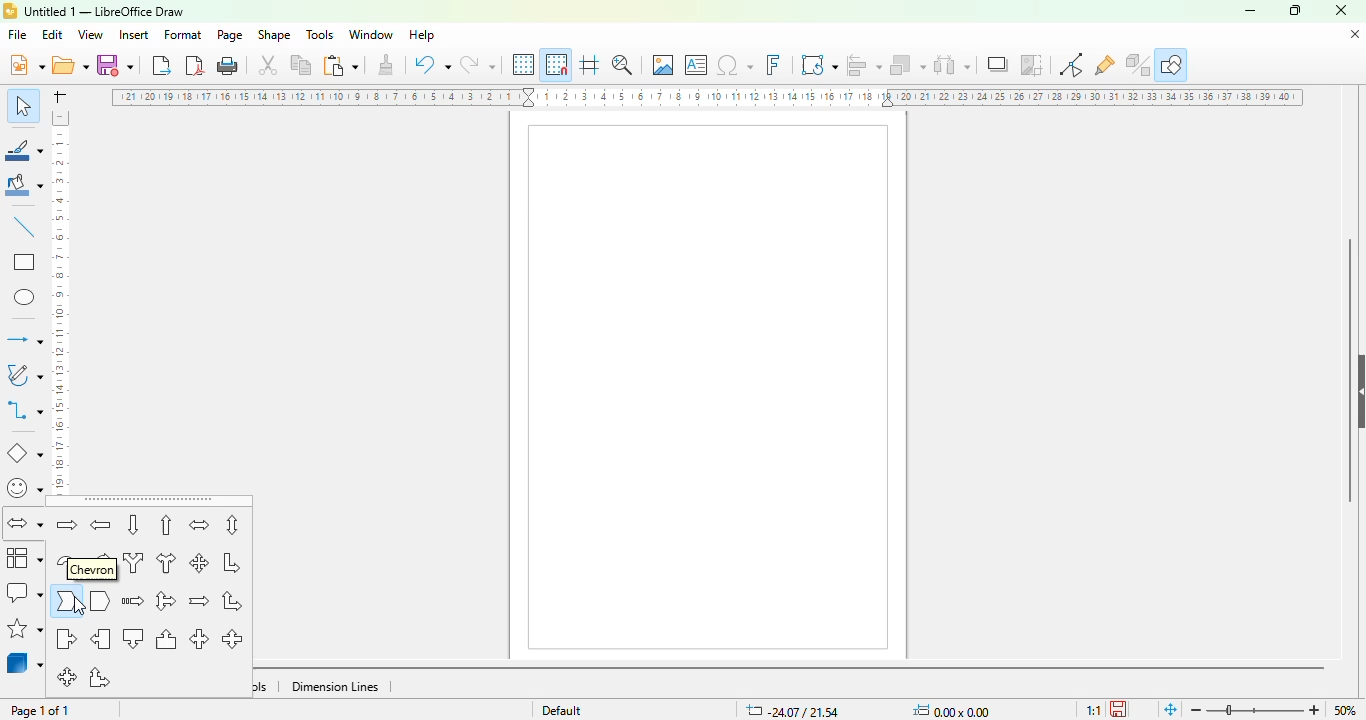  Describe the element at coordinates (233, 525) in the screenshot. I see `up and down arrow` at that location.